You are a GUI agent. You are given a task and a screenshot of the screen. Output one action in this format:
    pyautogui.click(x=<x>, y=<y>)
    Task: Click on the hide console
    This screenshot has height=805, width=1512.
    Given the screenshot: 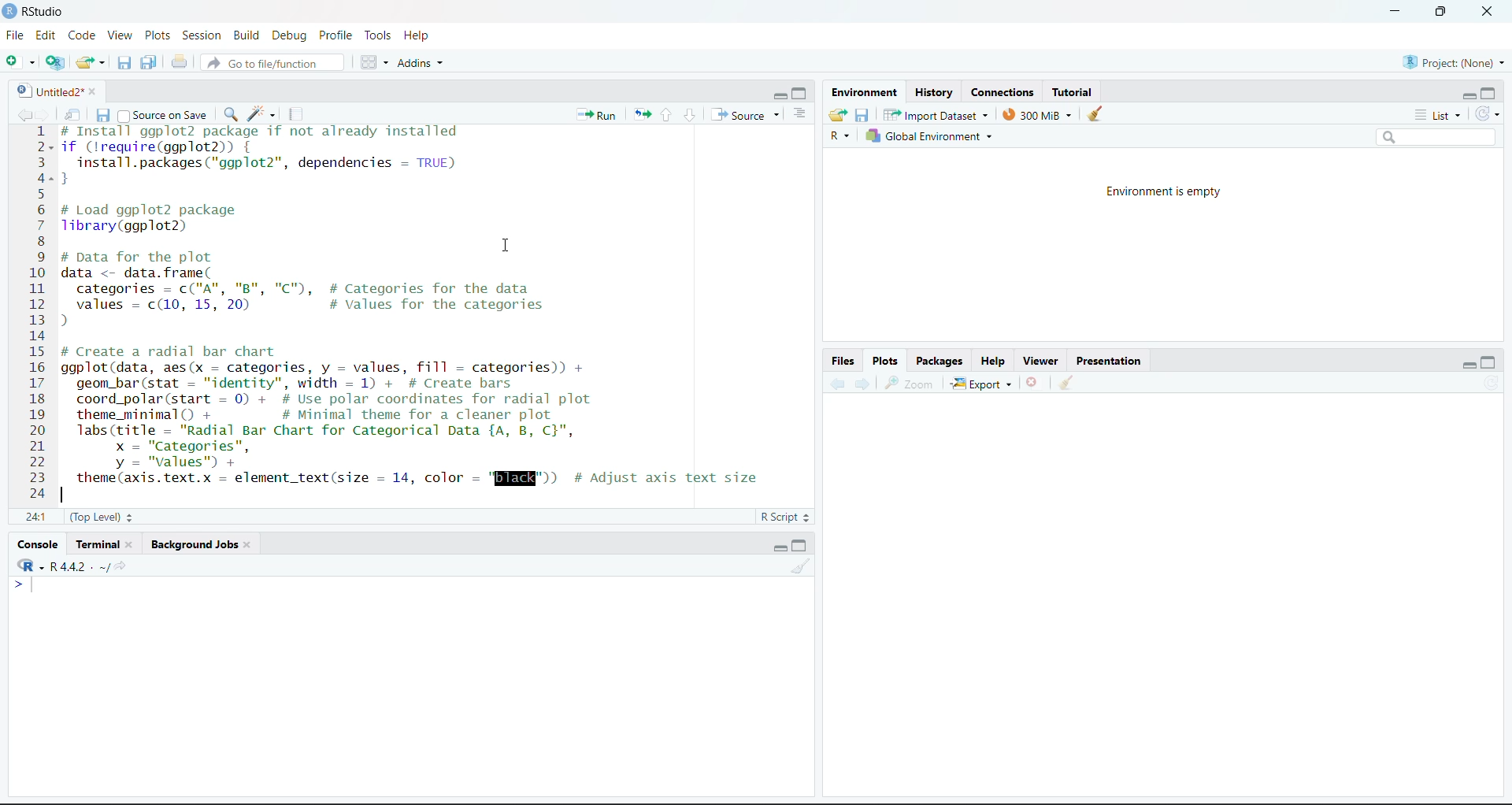 What is the action you would take?
    pyautogui.click(x=802, y=95)
    